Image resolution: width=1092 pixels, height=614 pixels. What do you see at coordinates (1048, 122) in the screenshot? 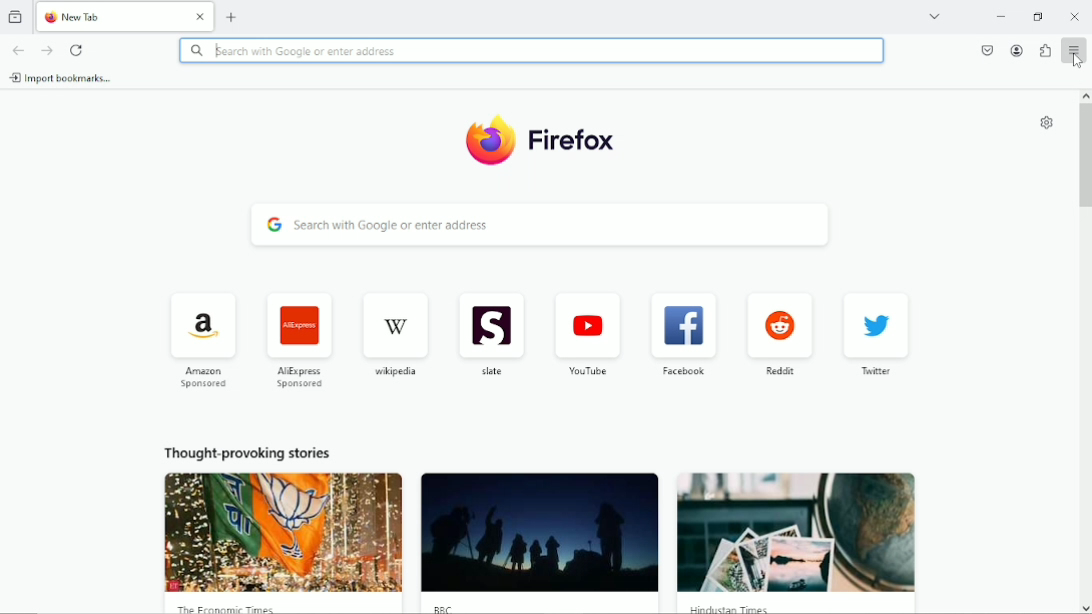
I see `customize new tab` at bounding box center [1048, 122].